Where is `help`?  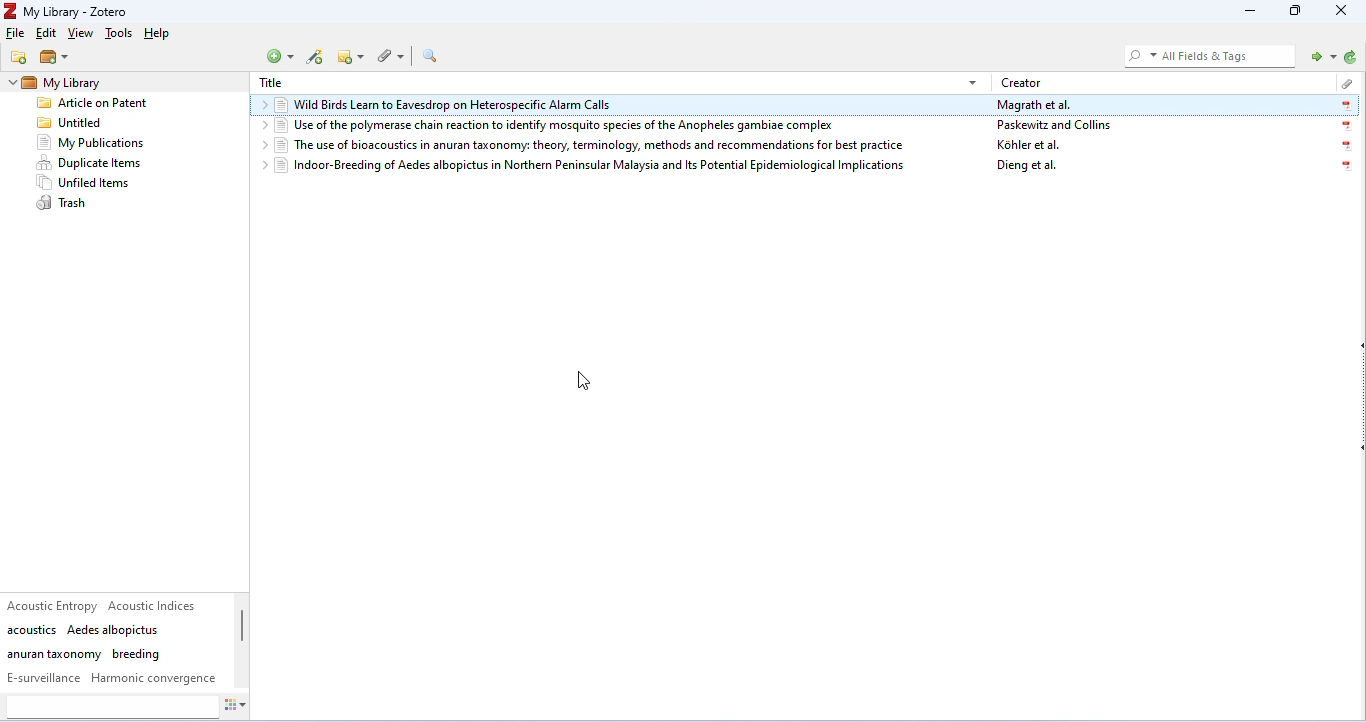 help is located at coordinates (160, 34).